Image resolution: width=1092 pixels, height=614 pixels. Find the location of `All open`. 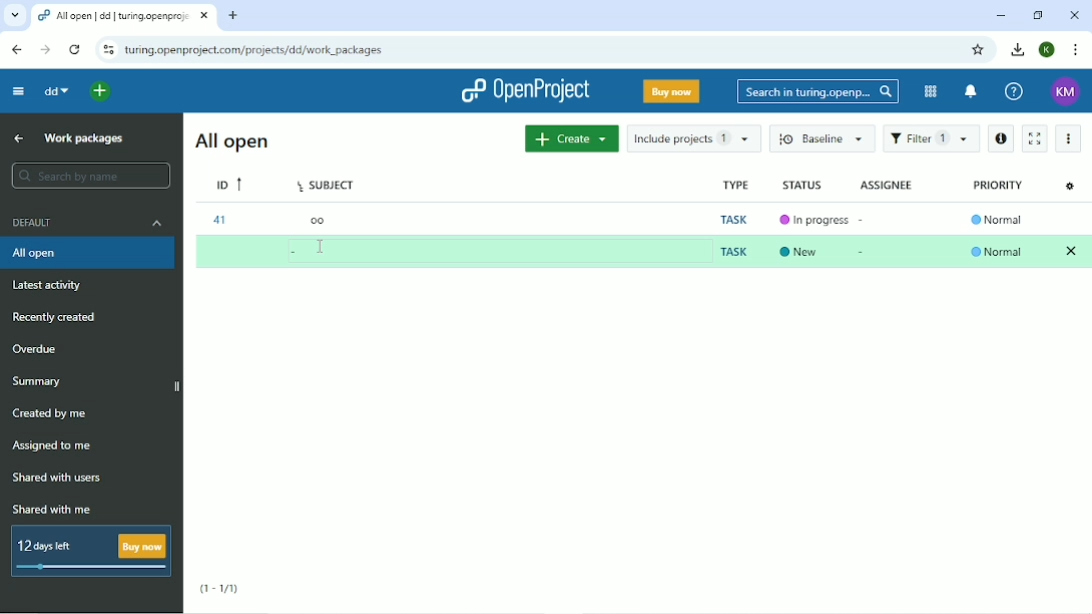

All open is located at coordinates (89, 254).